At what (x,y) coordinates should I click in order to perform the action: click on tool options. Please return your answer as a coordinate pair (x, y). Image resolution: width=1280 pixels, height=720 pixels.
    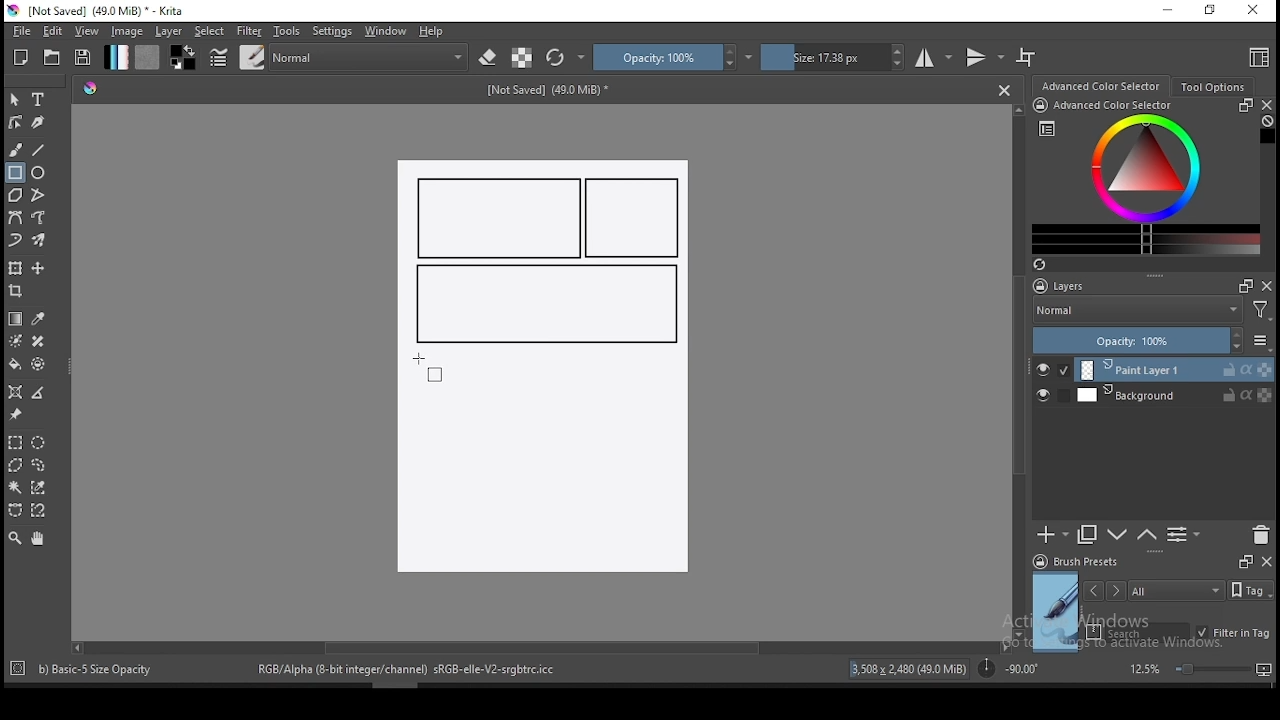
    Looking at the image, I should click on (1214, 87).